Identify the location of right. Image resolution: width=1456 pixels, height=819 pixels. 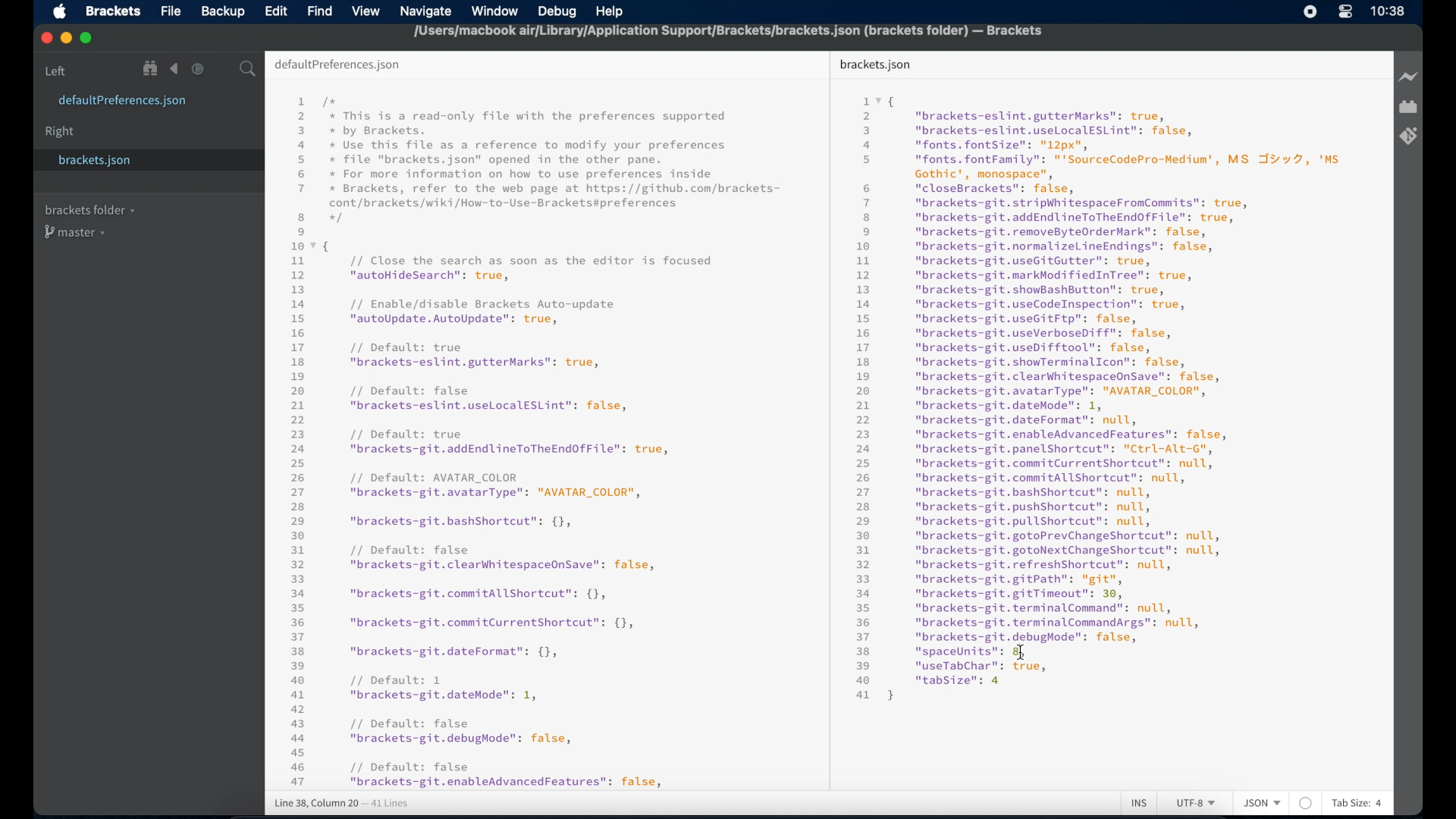
(60, 132).